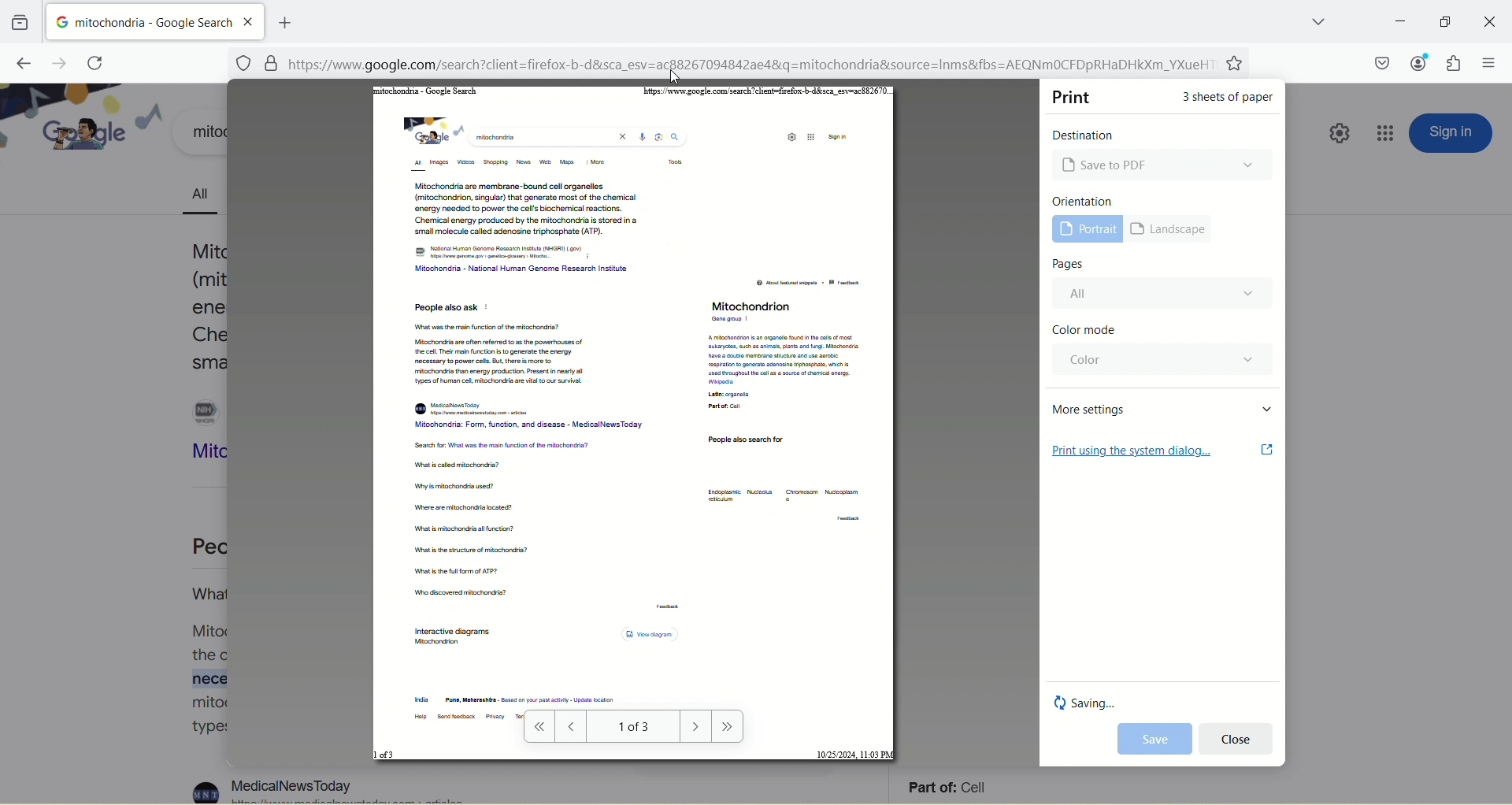 The height and width of the screenshot is (805, 1512). What do you see at coordinates (751, 65) in the screenshot?
I see `[=] https://www.google.com/search?client=firefox-b-d&sca_esv=ac88267094842ae48&q=mitochondria&source=Inms&fbs=AEQNmMOCFDpRHaDHkXm_YXueH` at bounding box center [751, 65].